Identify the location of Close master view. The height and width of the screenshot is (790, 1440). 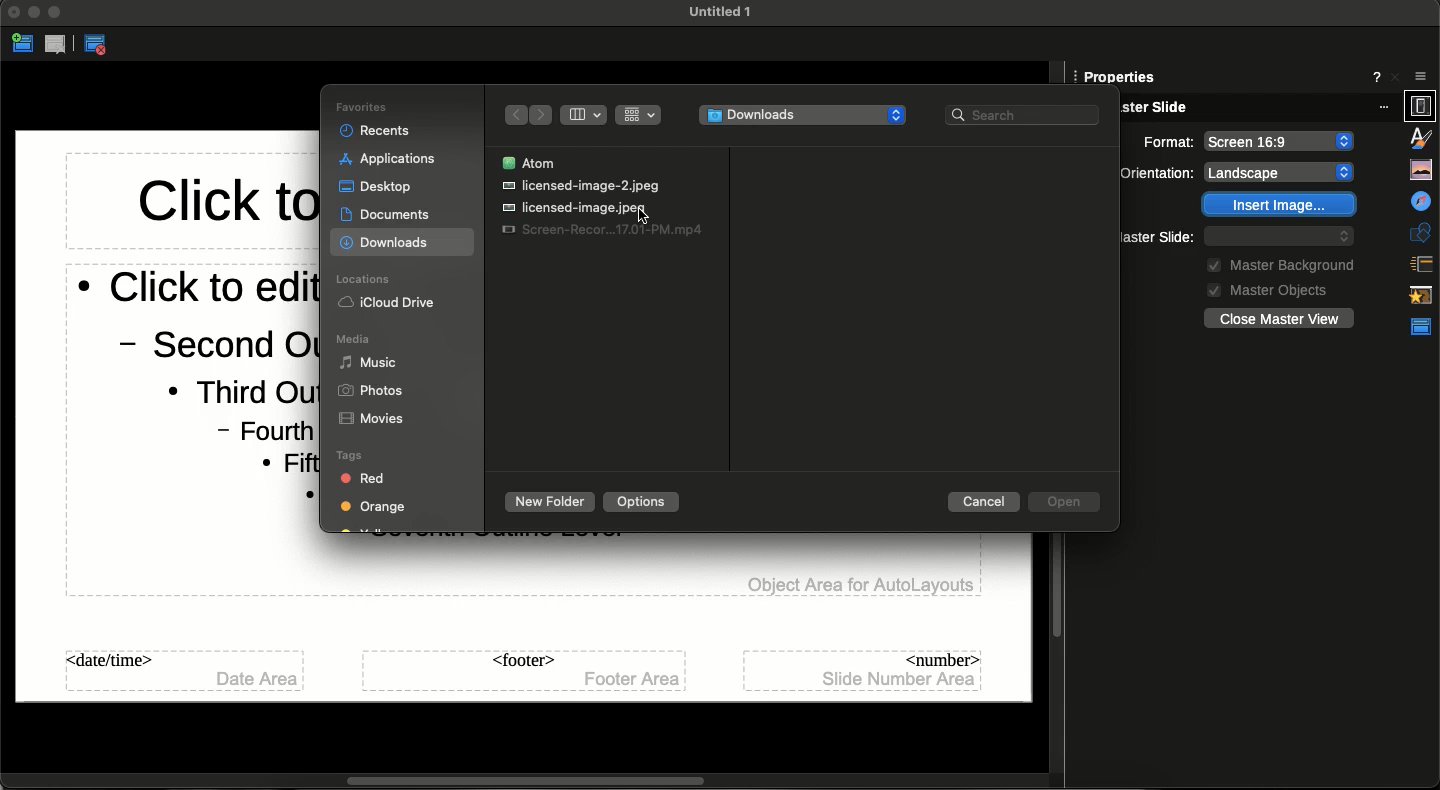
(100, 46).